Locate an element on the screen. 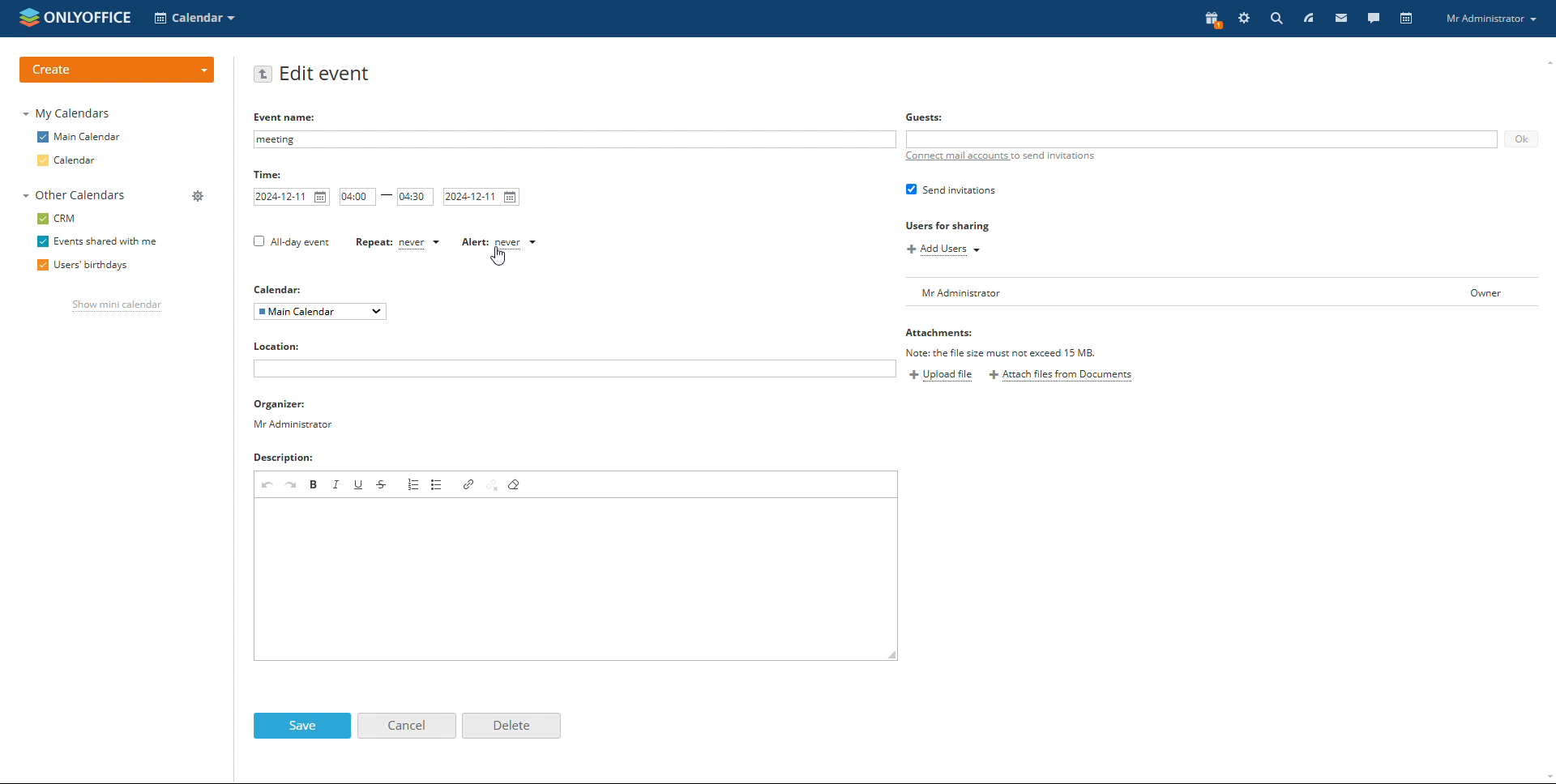  go back is located at coordinates (263, 74).